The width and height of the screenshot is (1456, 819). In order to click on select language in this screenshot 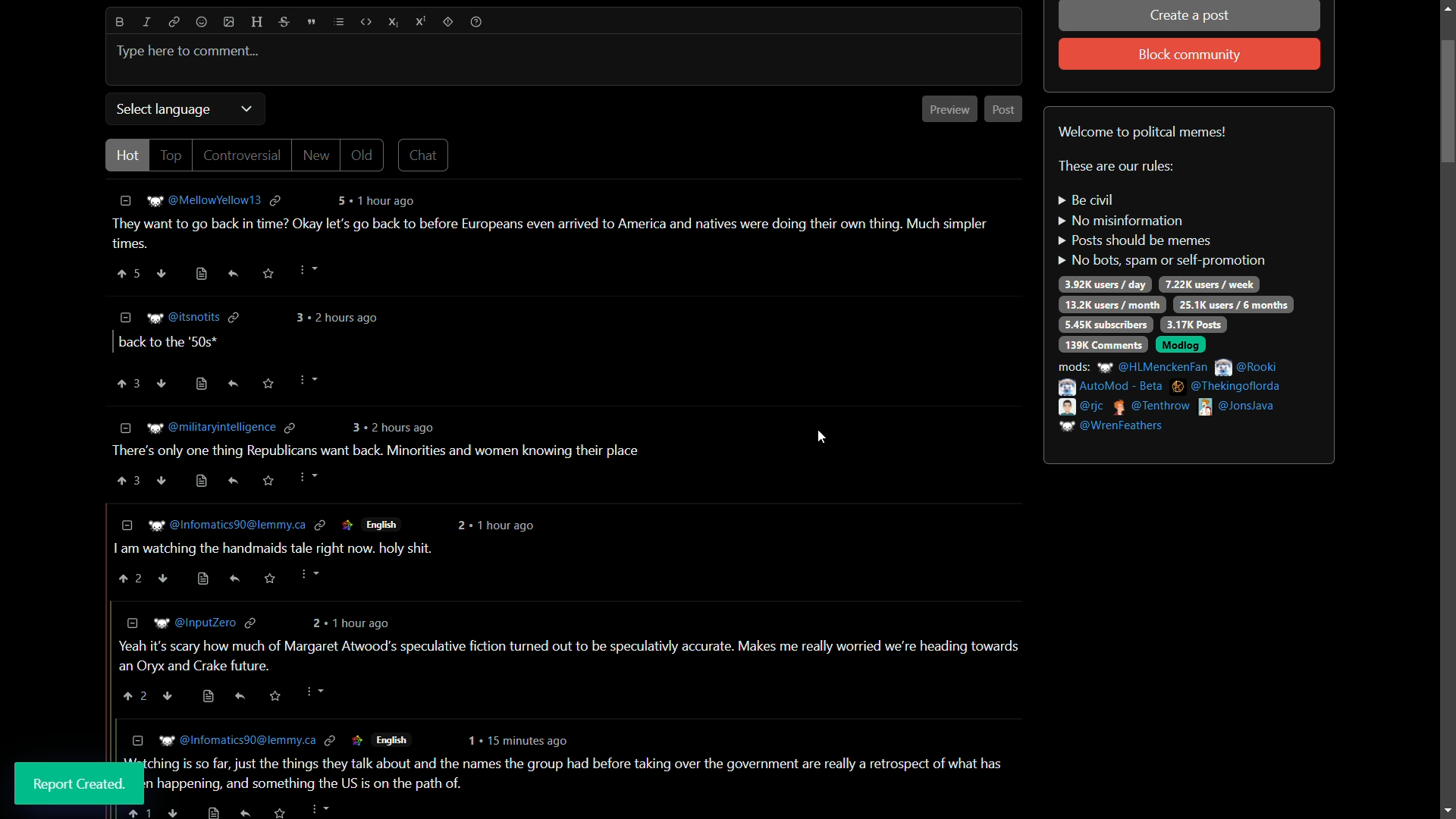, I will do `click(162, 110)`.